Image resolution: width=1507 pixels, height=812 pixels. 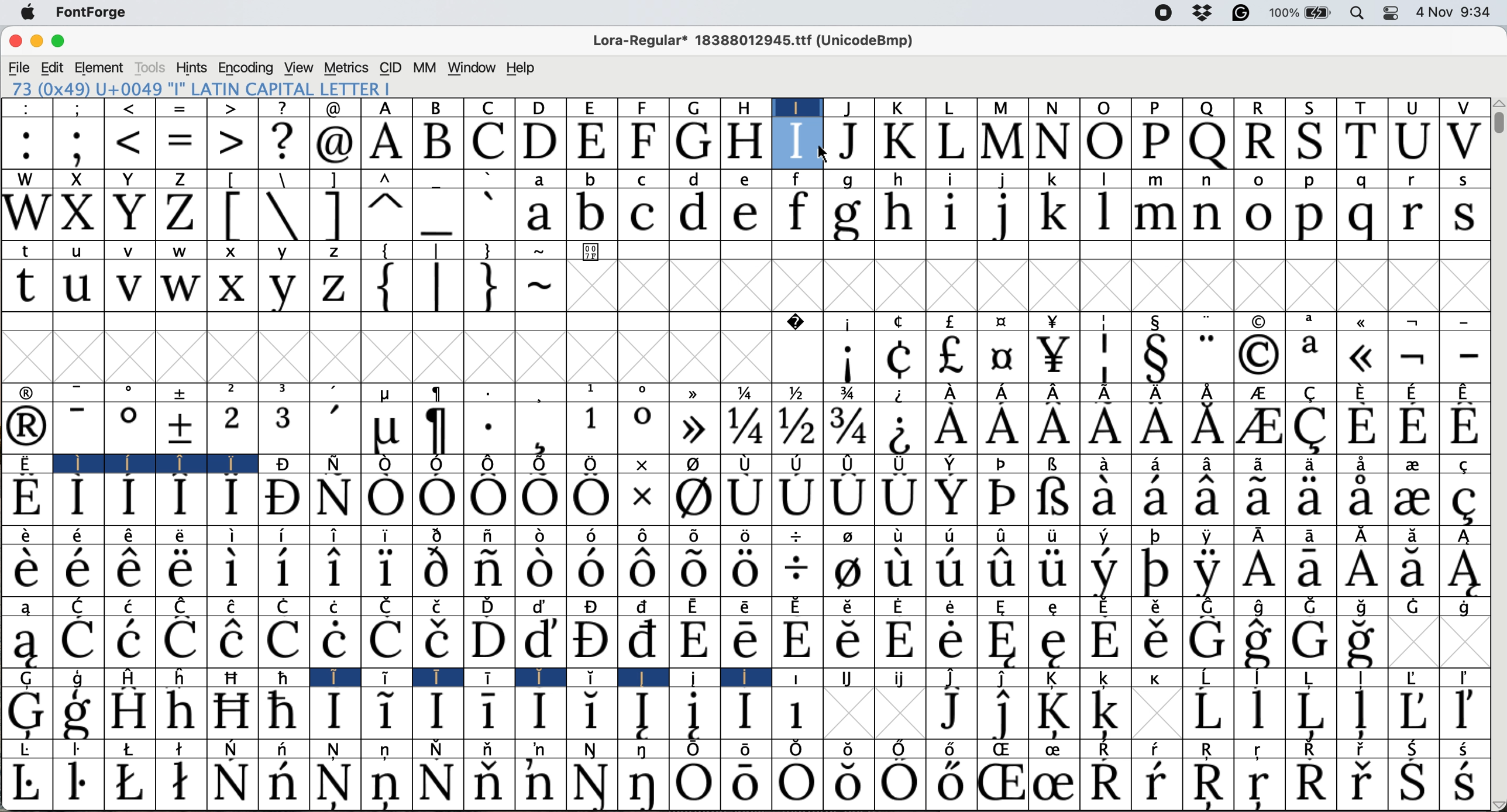 I want to click on Symbol, so click(x=181, y=748).